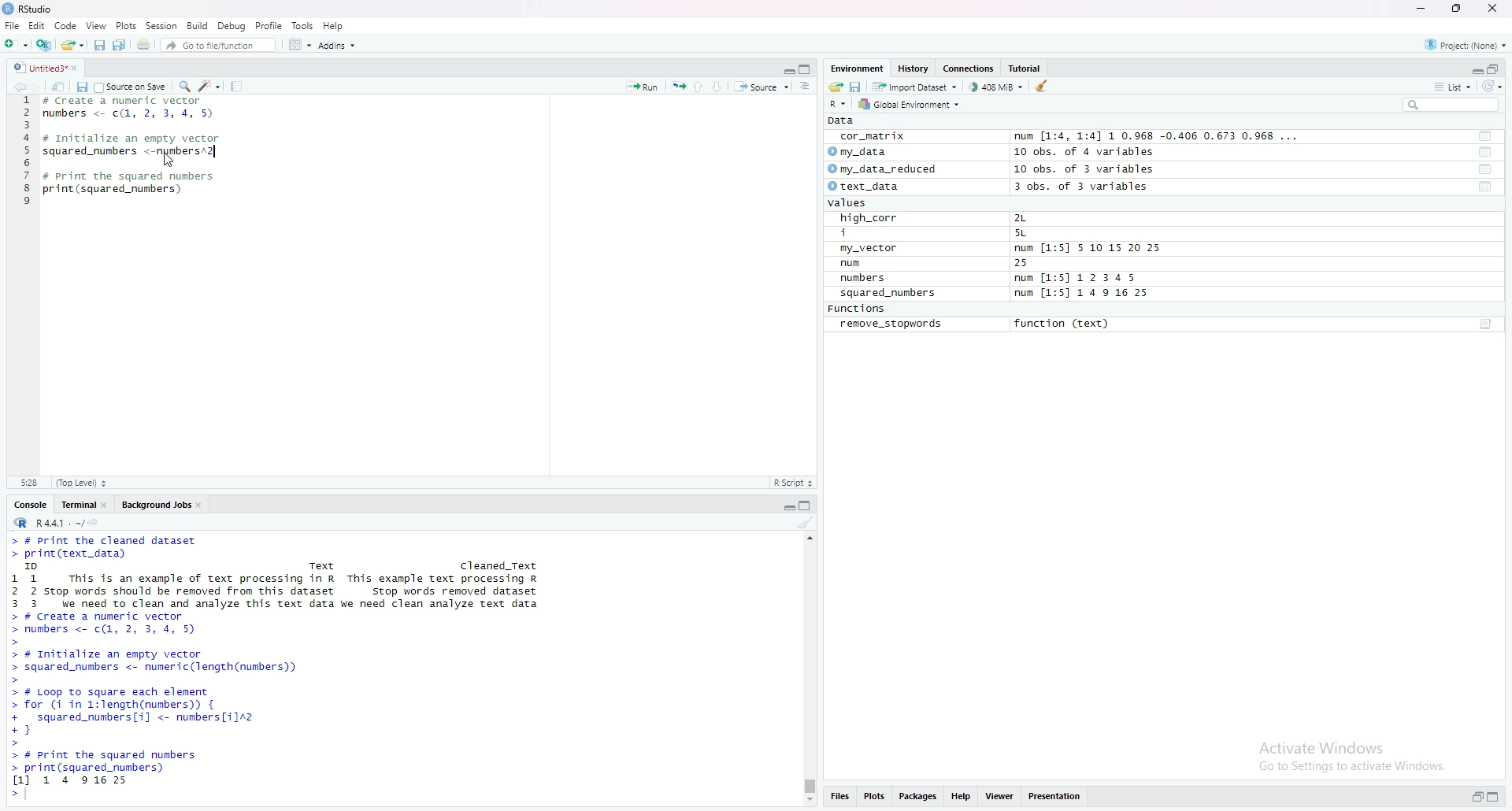 The height and width of the screenshot is (811, 1512). I want to click on # Create a number vector numbers <- c(1, 2, 3, 4,5), so click(139, 108).